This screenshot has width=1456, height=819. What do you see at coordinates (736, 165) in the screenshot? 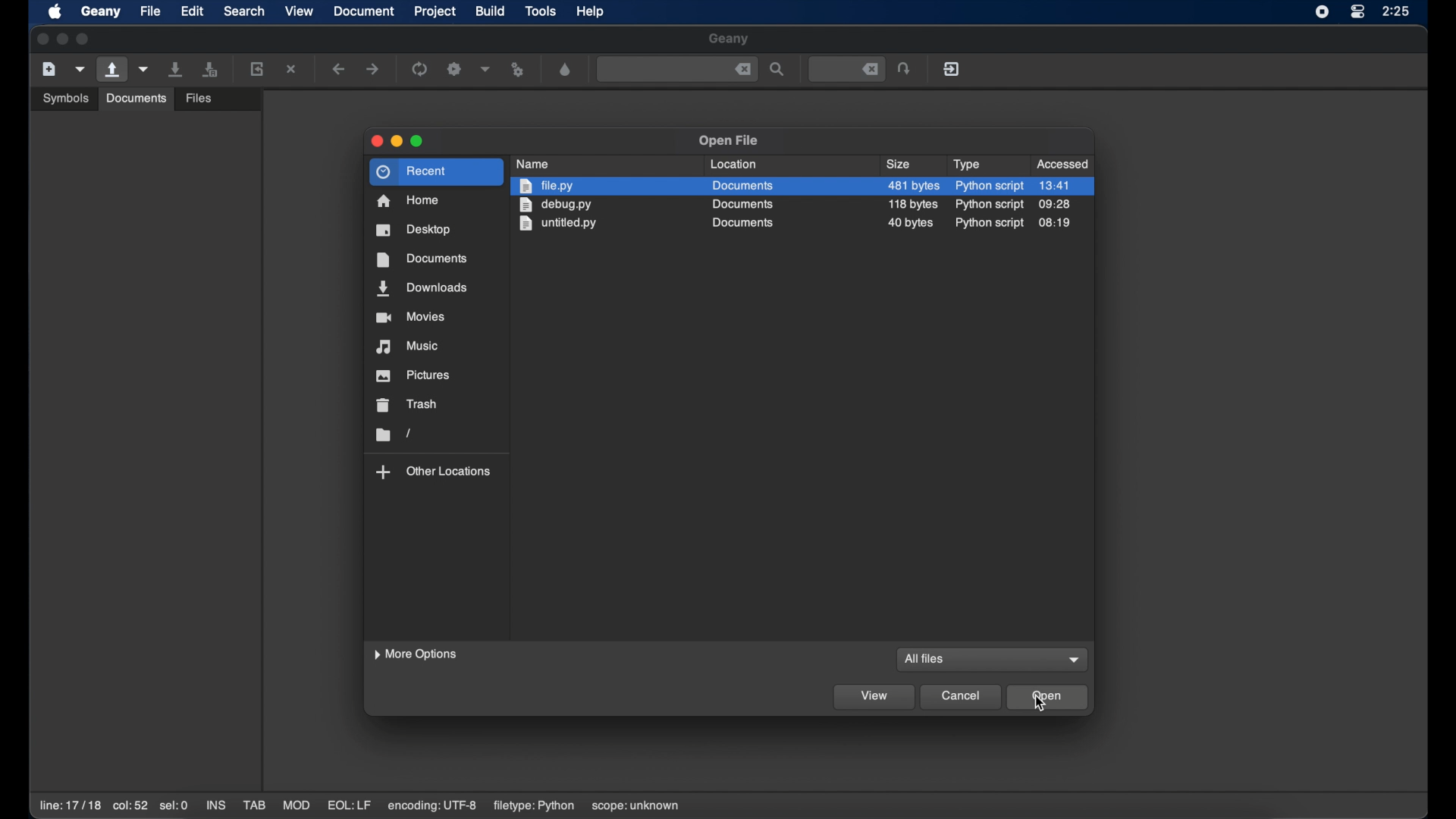
I see `location` at bounding box center [736, 165].